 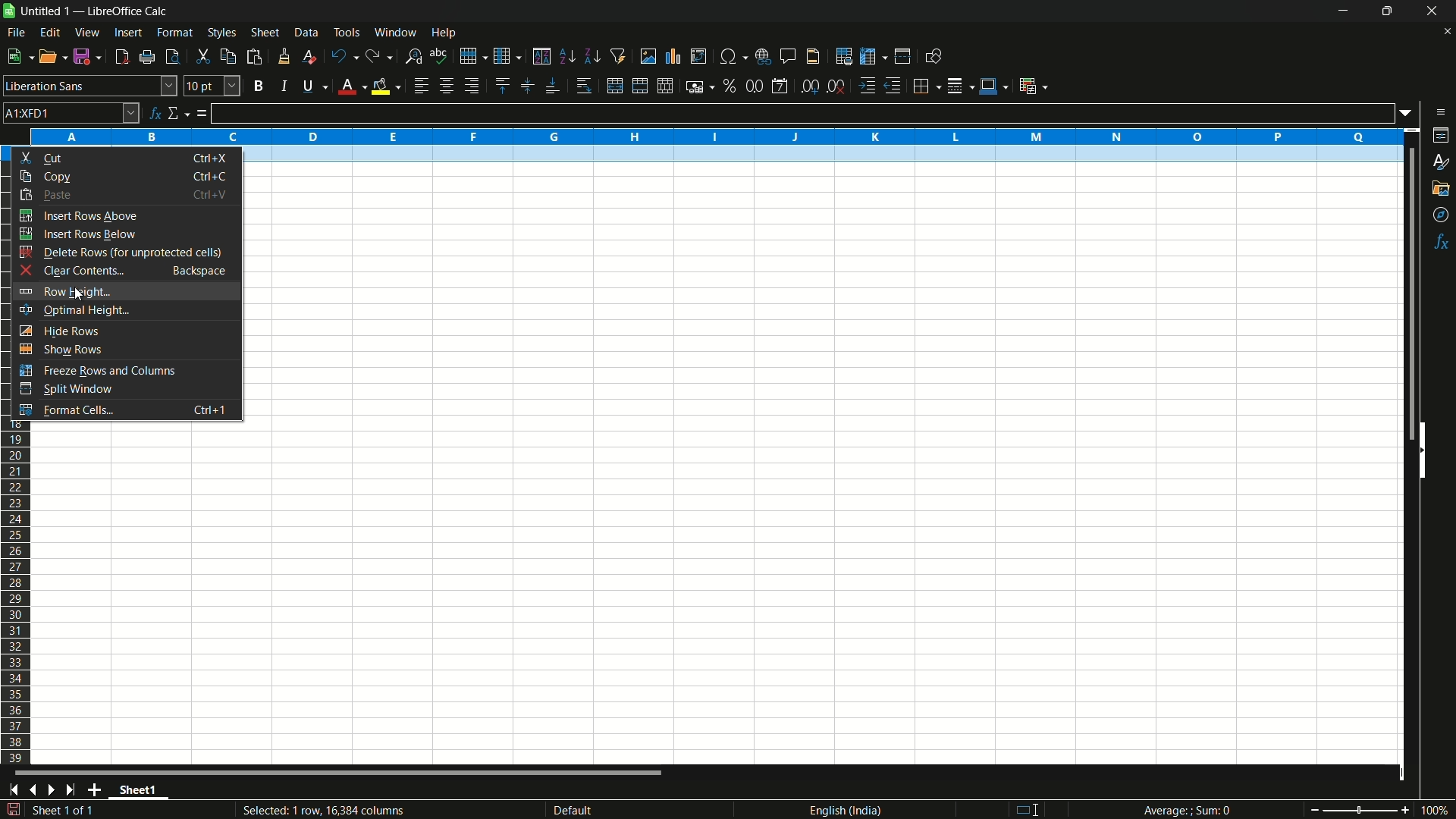 What do you see at coordinates (780, 86) in the screenshot?
I see `format as date` at bounding box center [780, 86].